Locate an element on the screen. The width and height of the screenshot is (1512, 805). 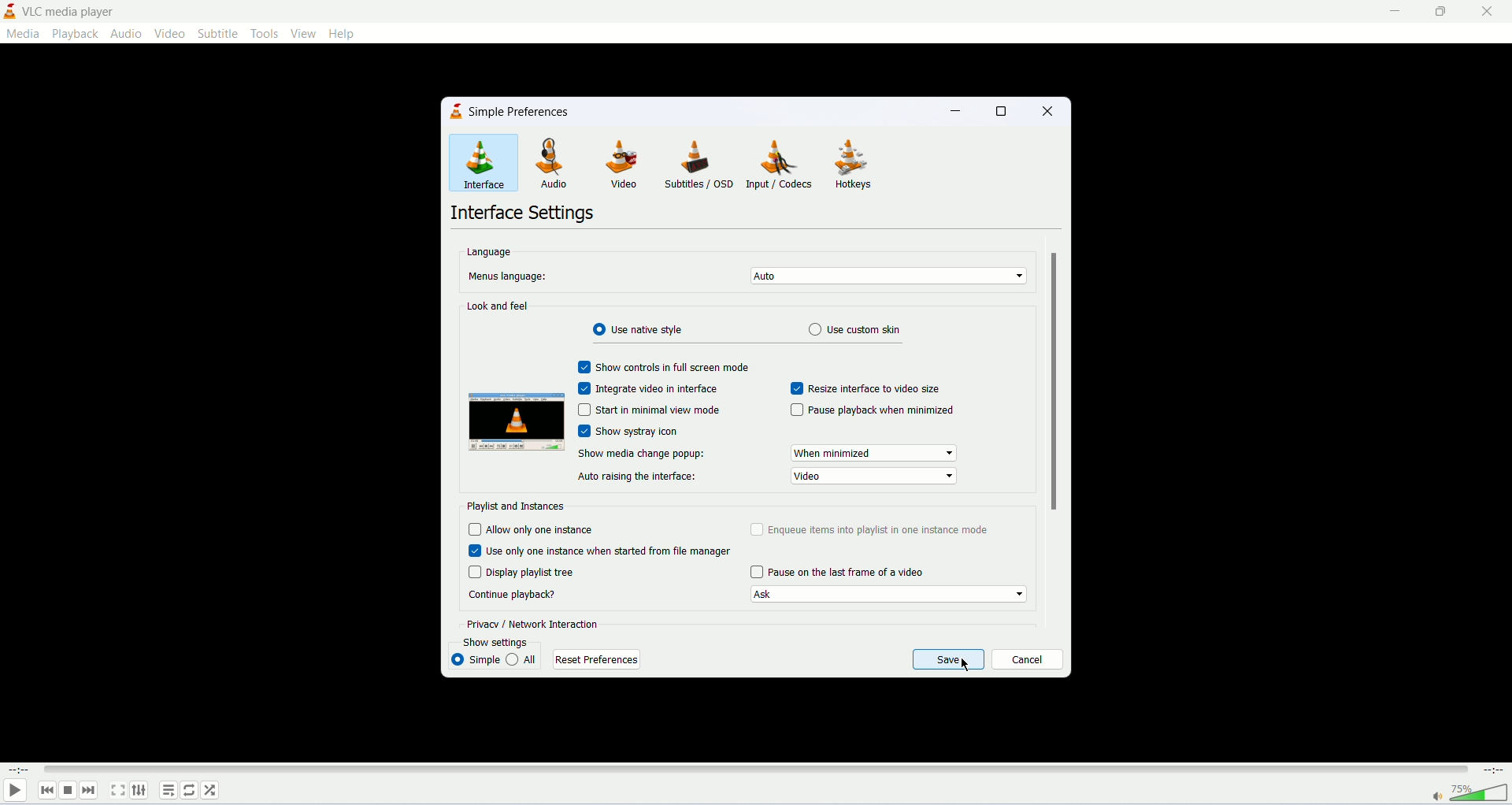
played time is located at coordinates (20, 770).